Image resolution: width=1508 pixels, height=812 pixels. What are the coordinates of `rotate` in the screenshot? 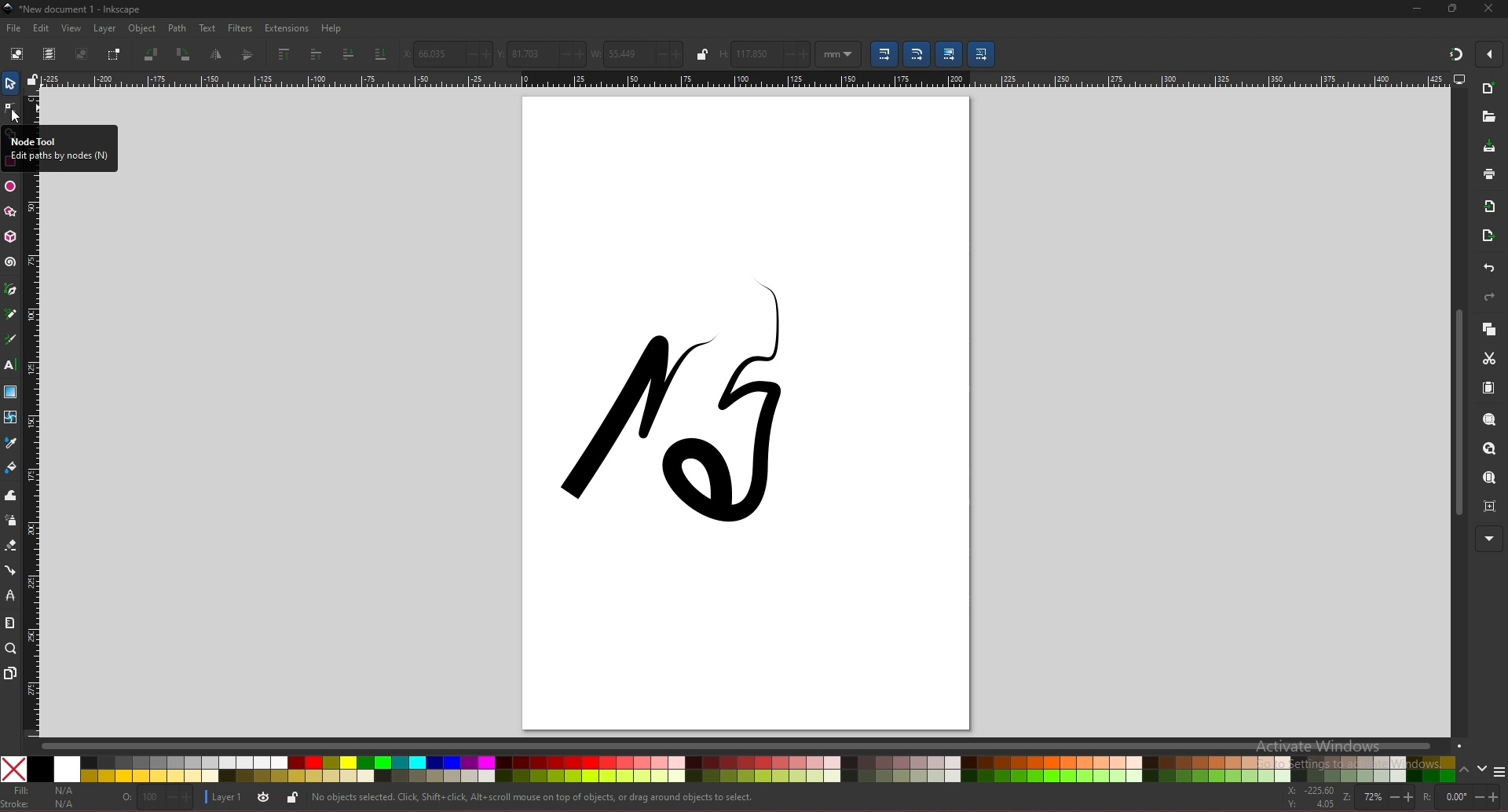 It's located at (1462, 796).